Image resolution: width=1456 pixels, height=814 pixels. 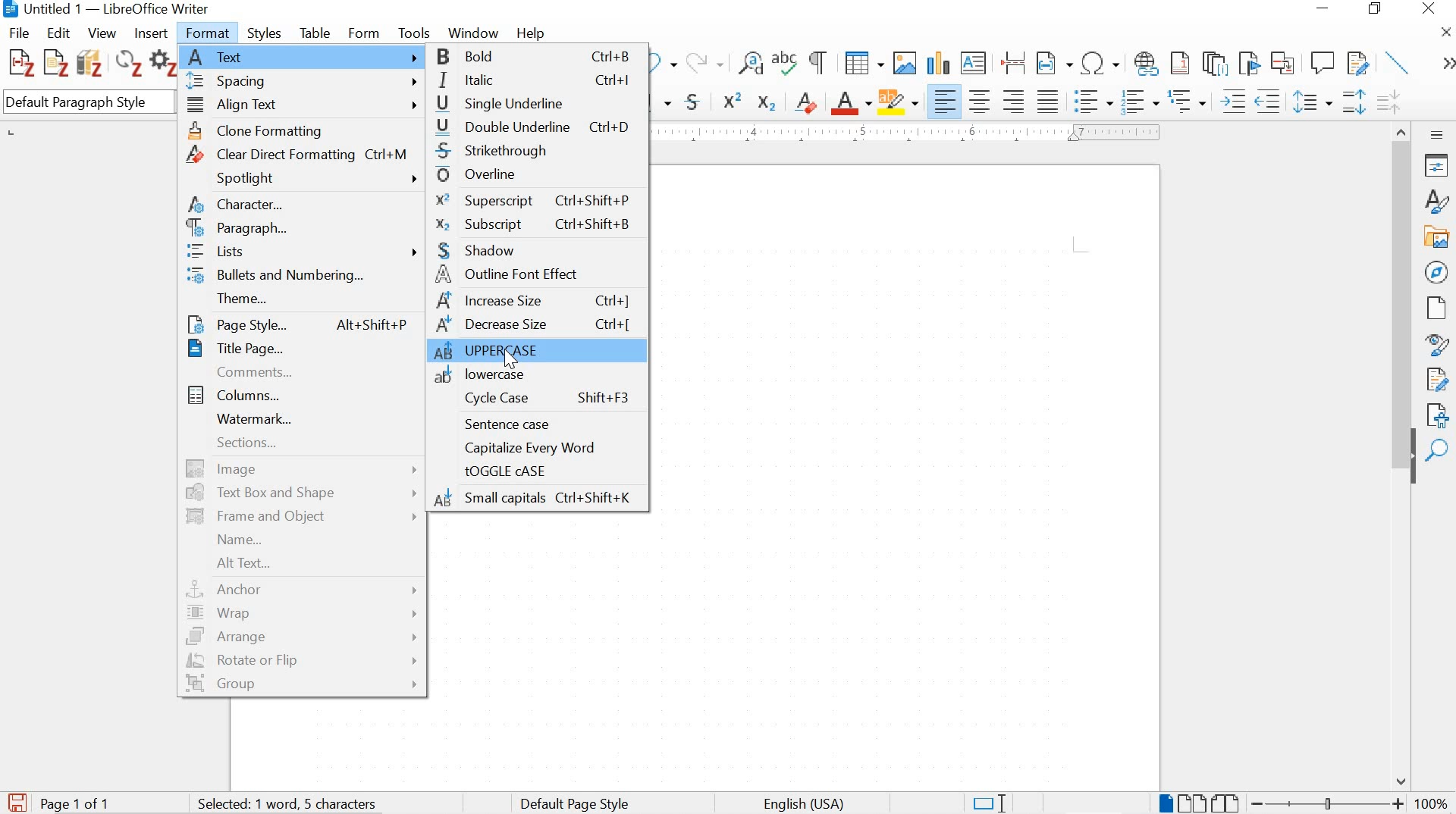 What do you see at coordinates (303, 637) in the screenshot?
I see `arrange` at bounding box center [303, 637].